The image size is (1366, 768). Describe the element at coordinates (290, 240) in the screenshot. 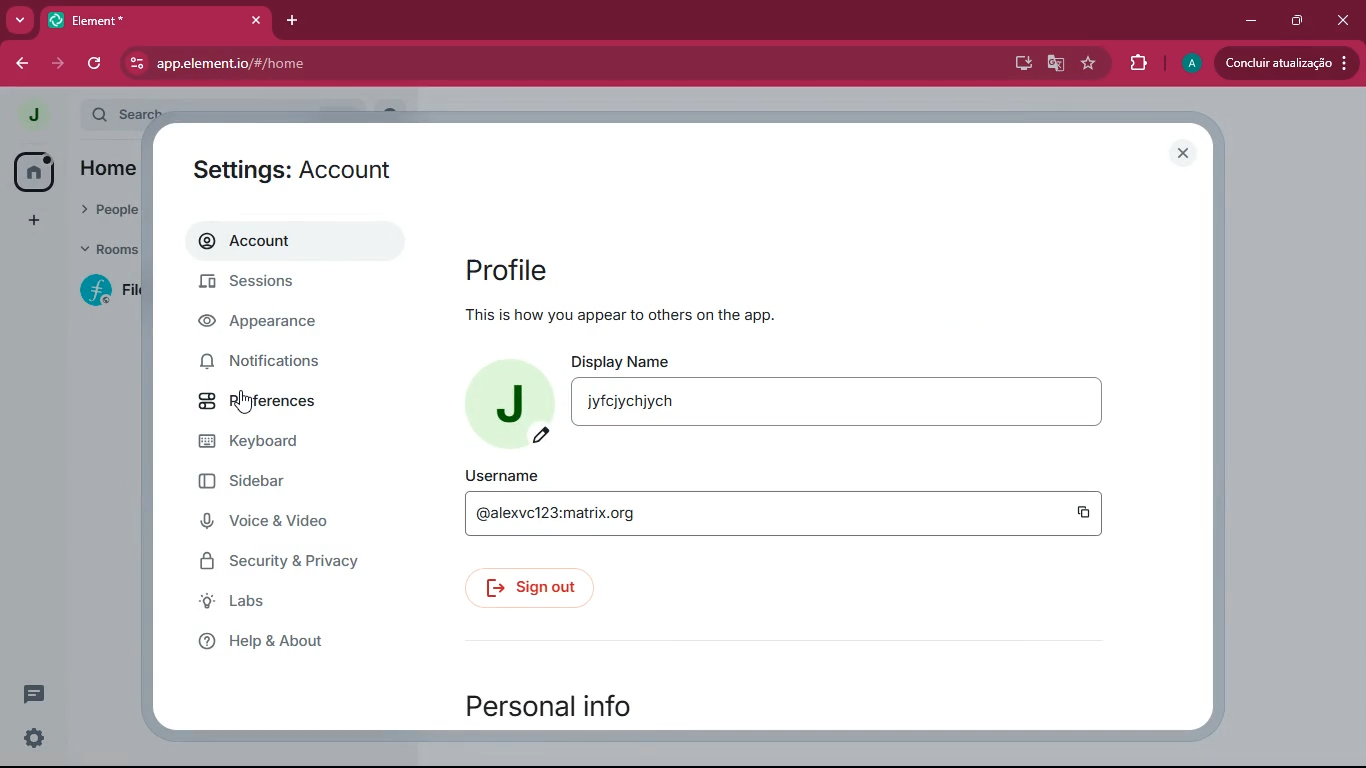

I see `account` at that location.